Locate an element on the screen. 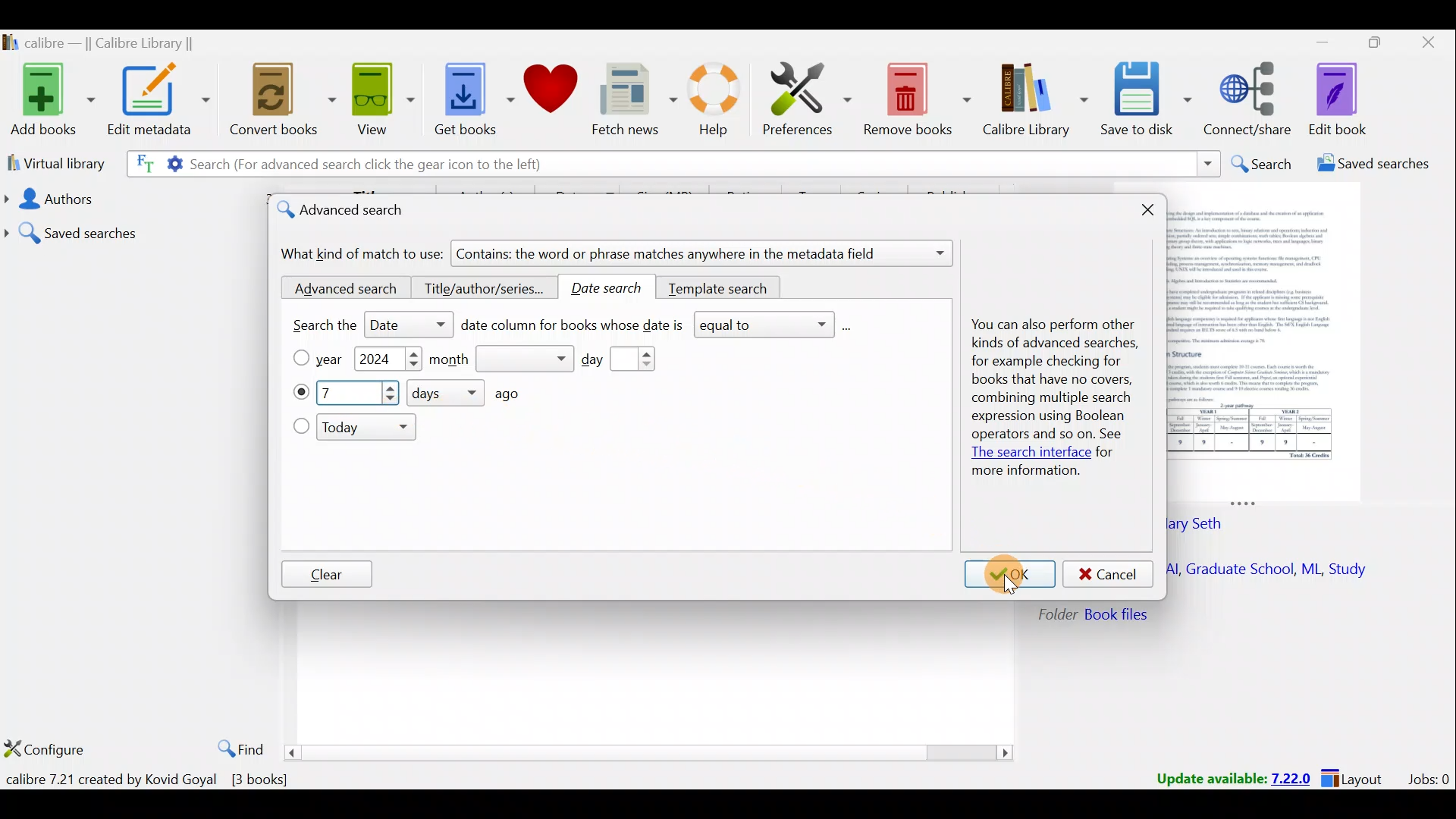 The height and width of the screenshot is (819, 1456). Today is located at coordinates (369, 429).